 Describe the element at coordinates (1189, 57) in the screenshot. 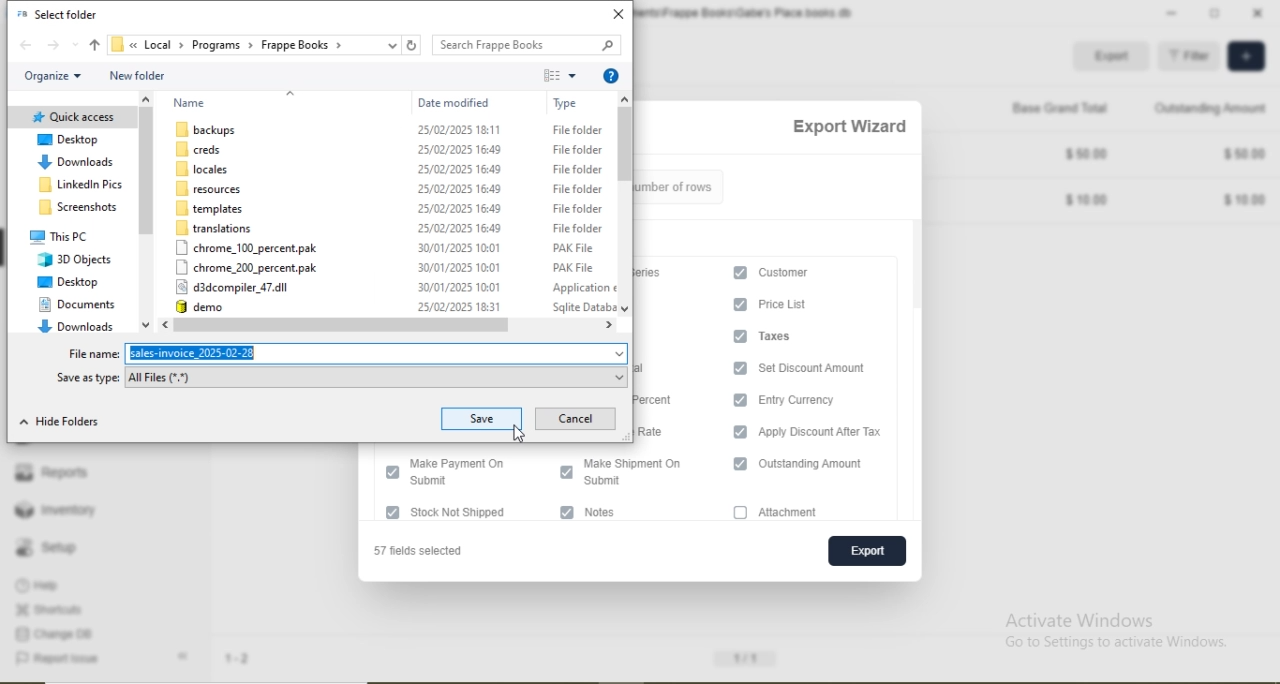

I see `= Filter` at that location.